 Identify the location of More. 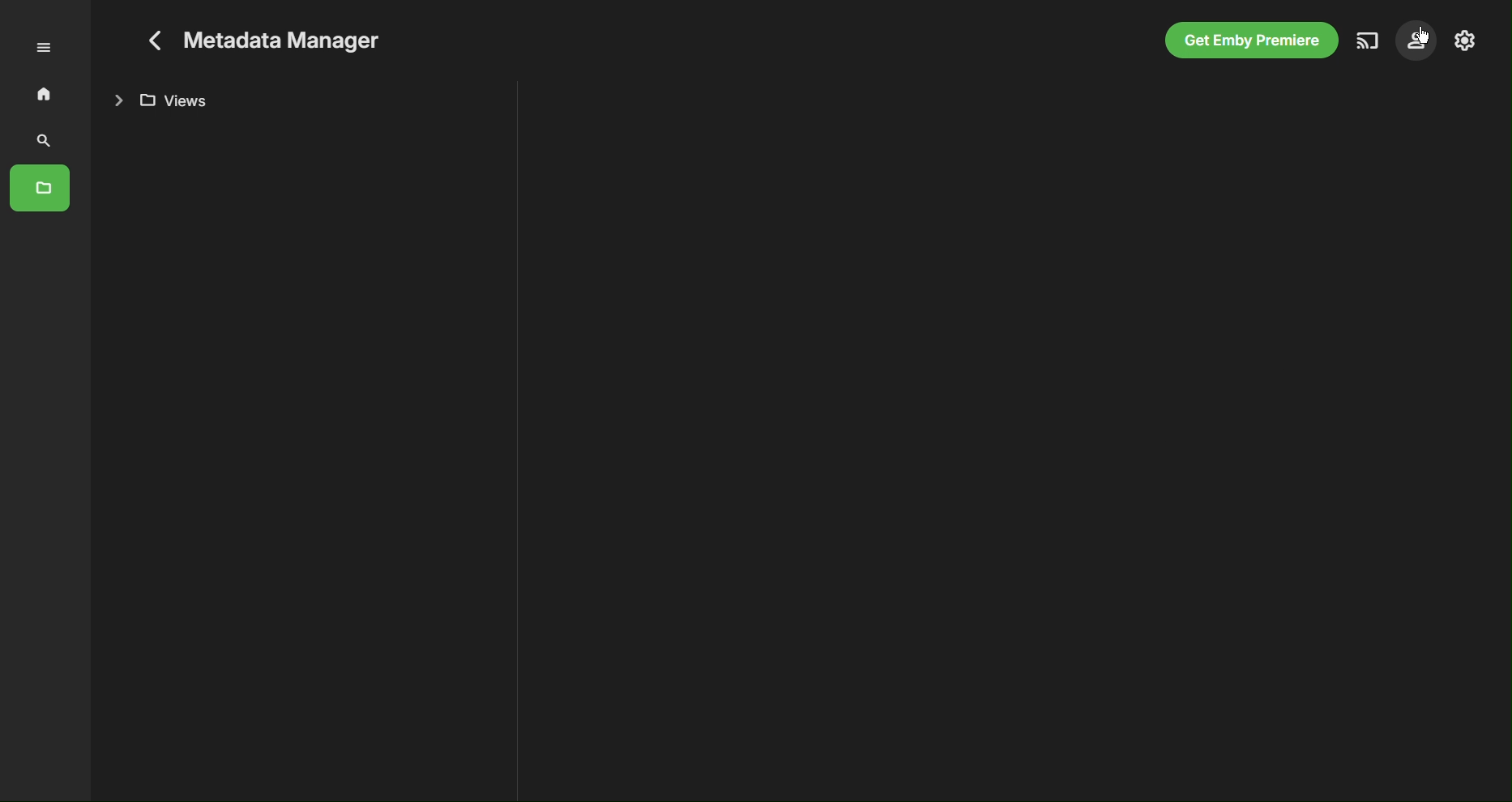
(53, 46).